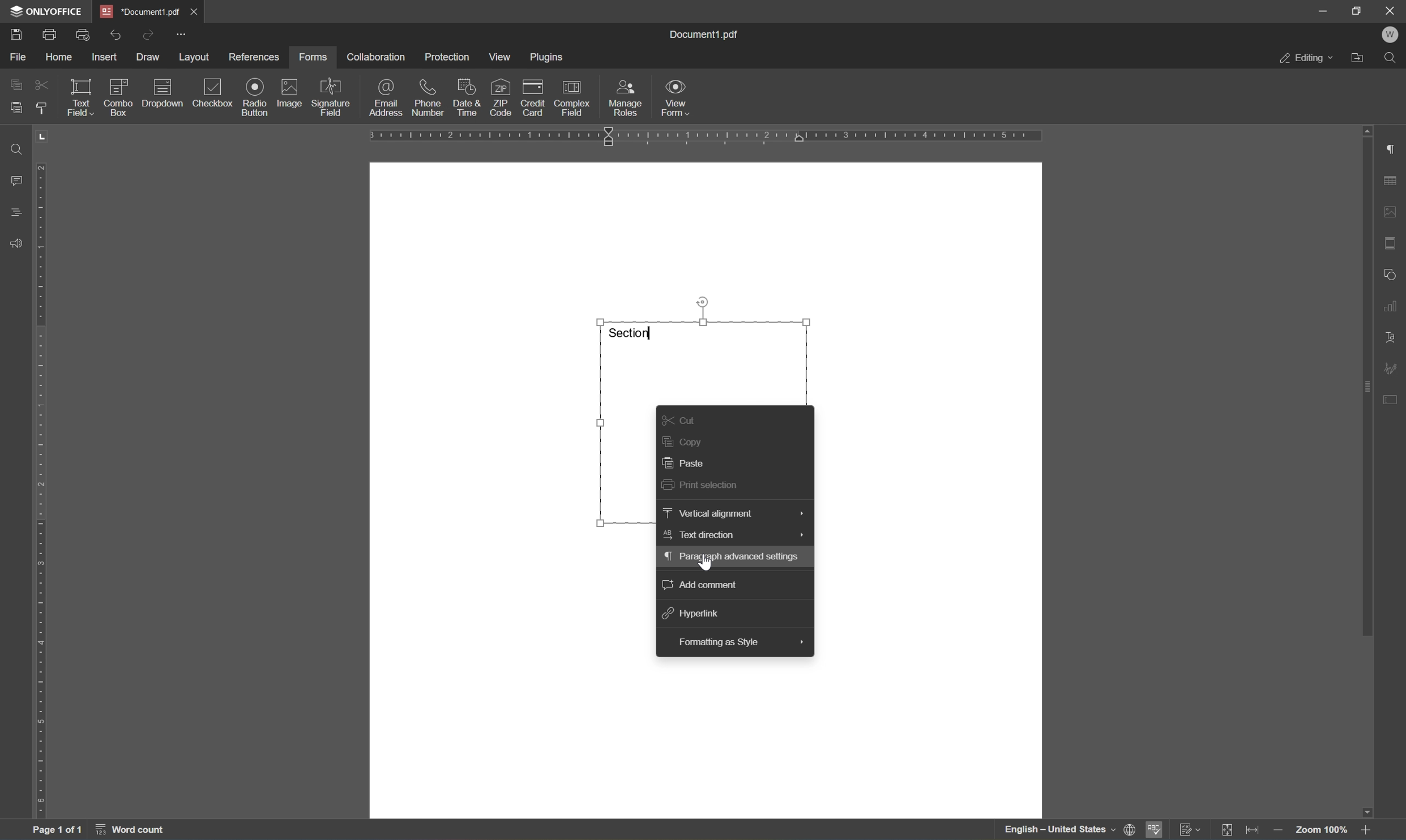  Describe the element at coordinates (376, 57) in the screenshot. I see `collaboration` at that location.